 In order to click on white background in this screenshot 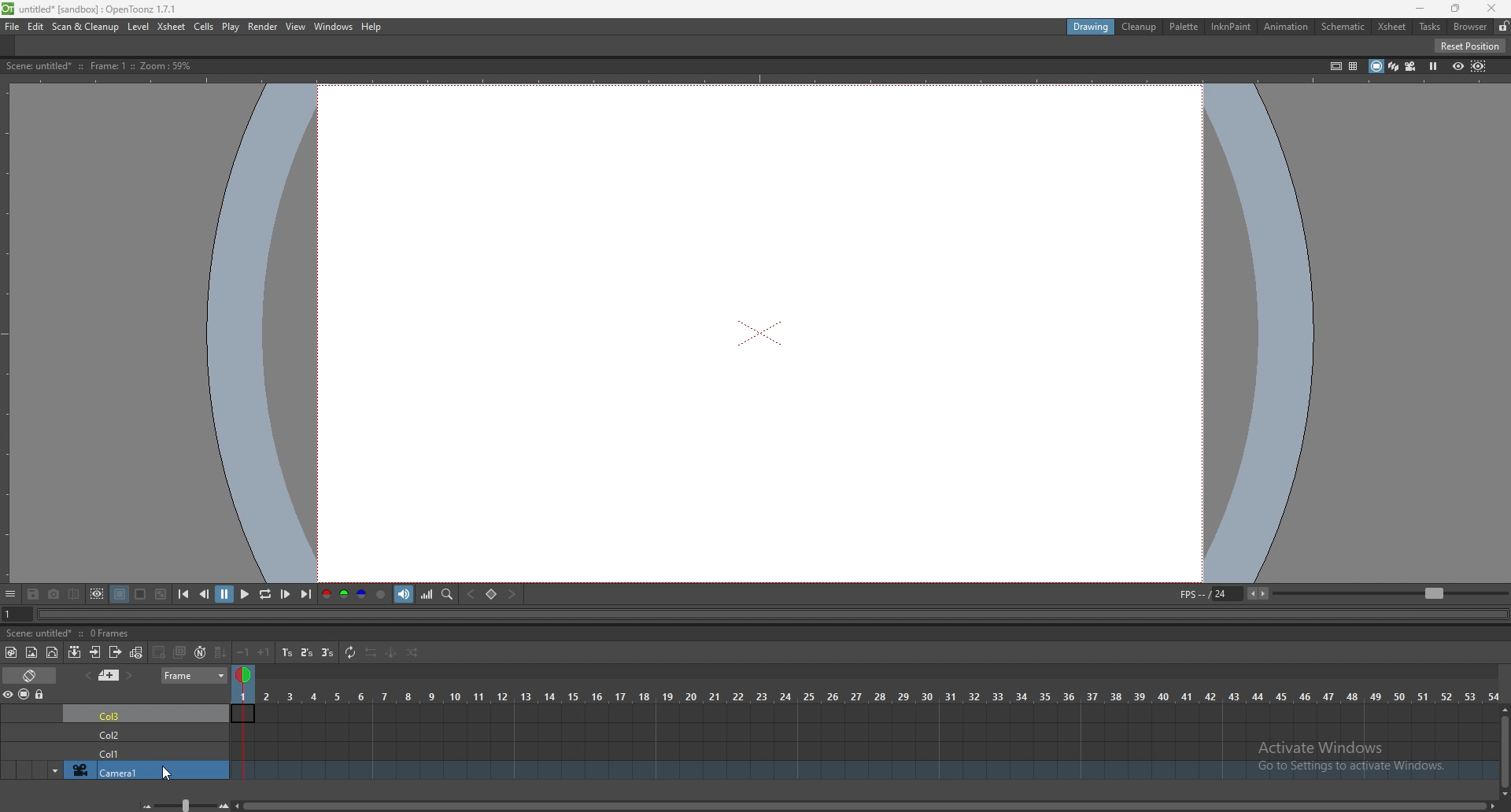, I will do `click(141, 593)`.